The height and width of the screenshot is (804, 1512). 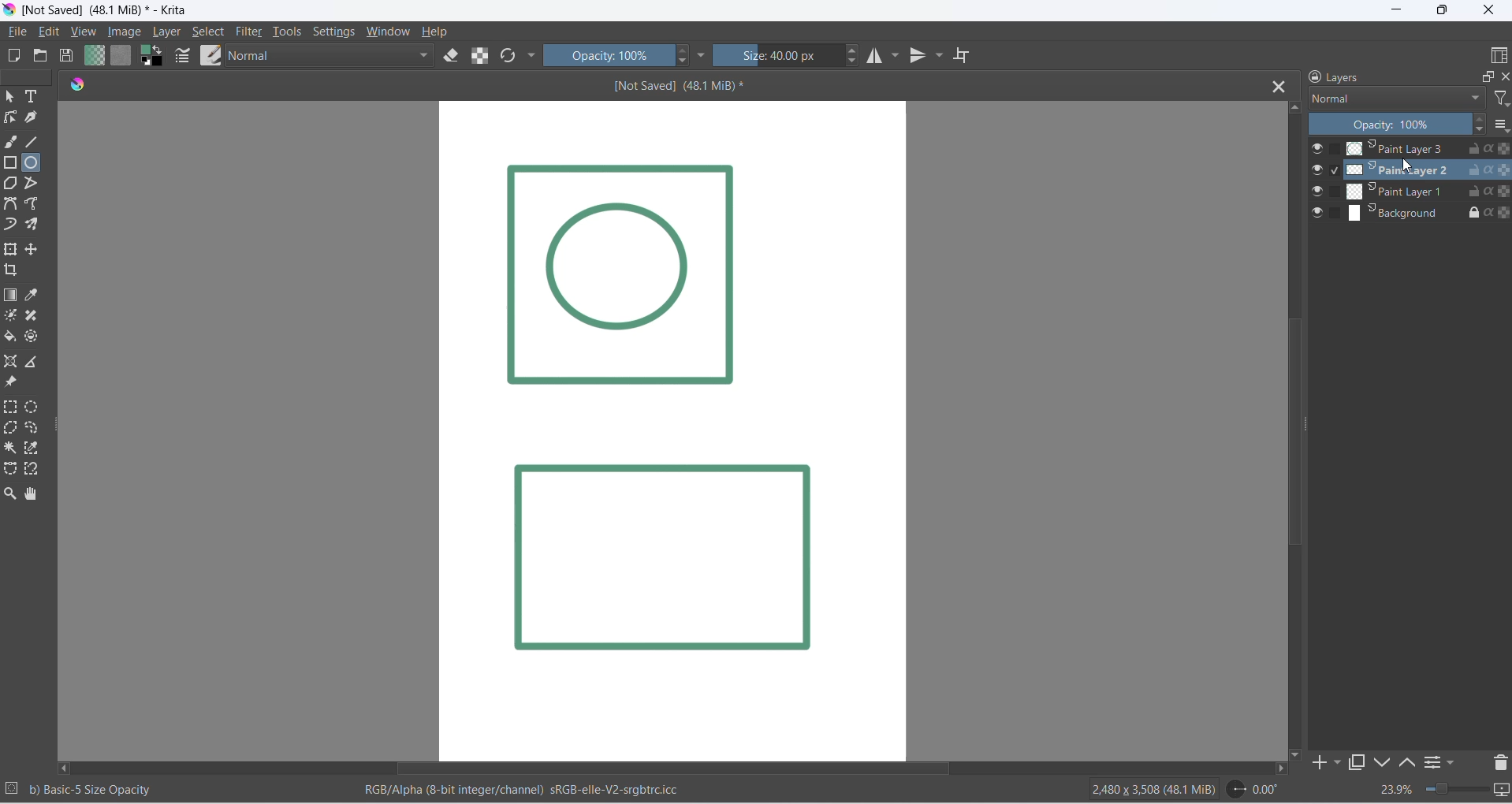 What do you see at coordinates (32, 448) in the screenshot?
I see `color selection tool` at bounding box center [32, 448].